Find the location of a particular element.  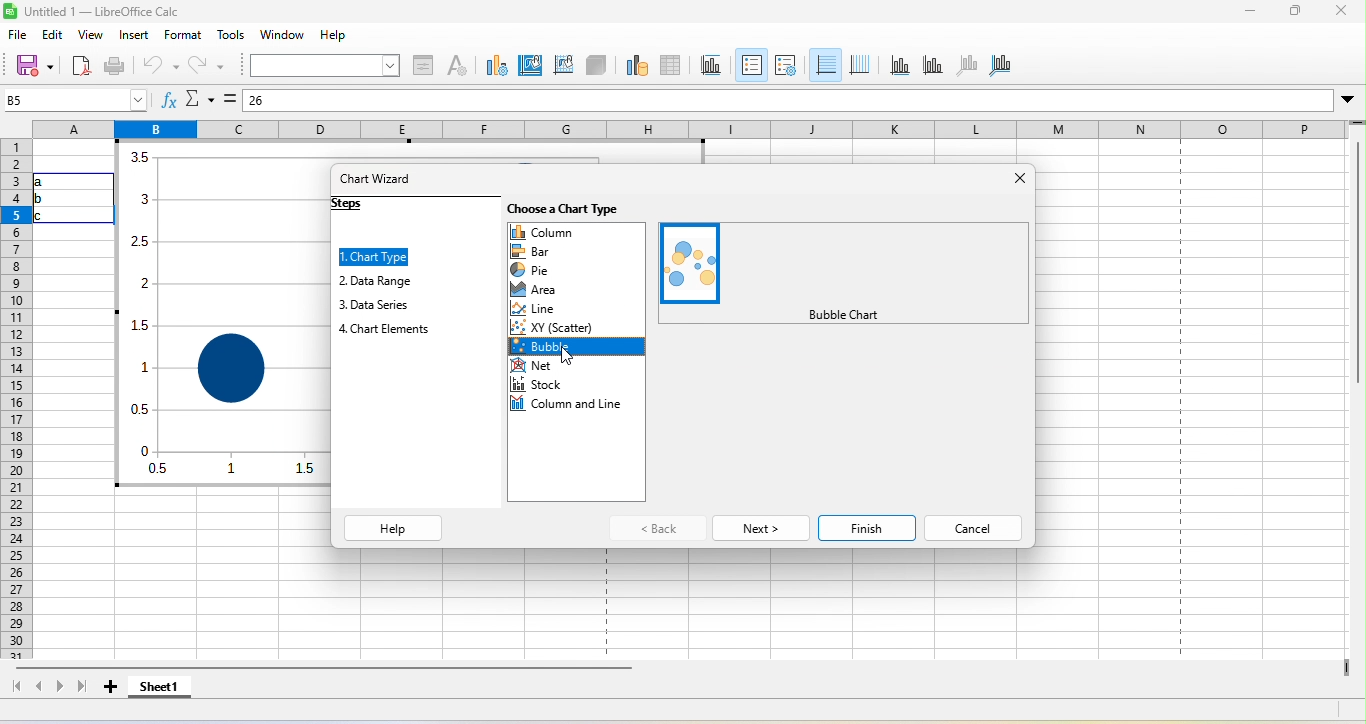

add new sheet  is located at coordinates (111, 692).